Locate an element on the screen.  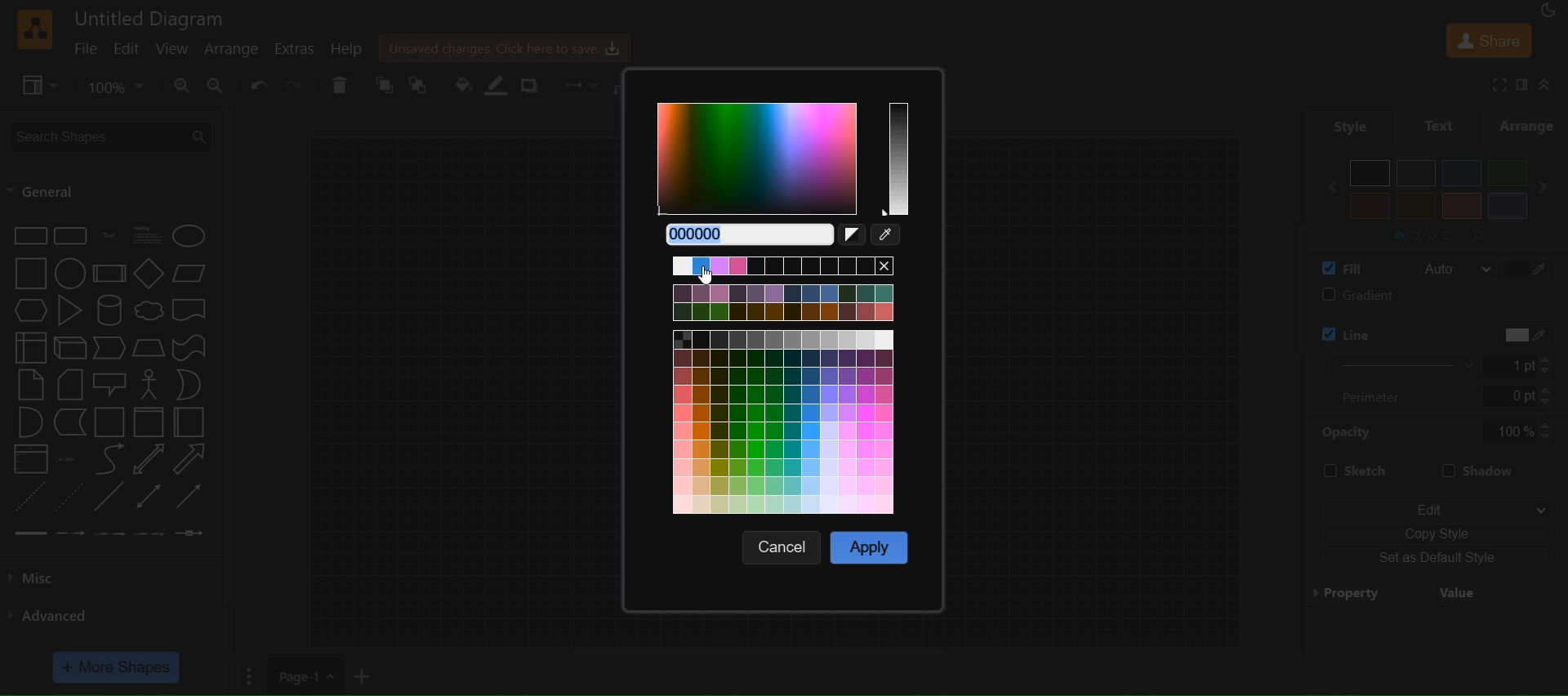
black color is located at coordinates (1370, 173).